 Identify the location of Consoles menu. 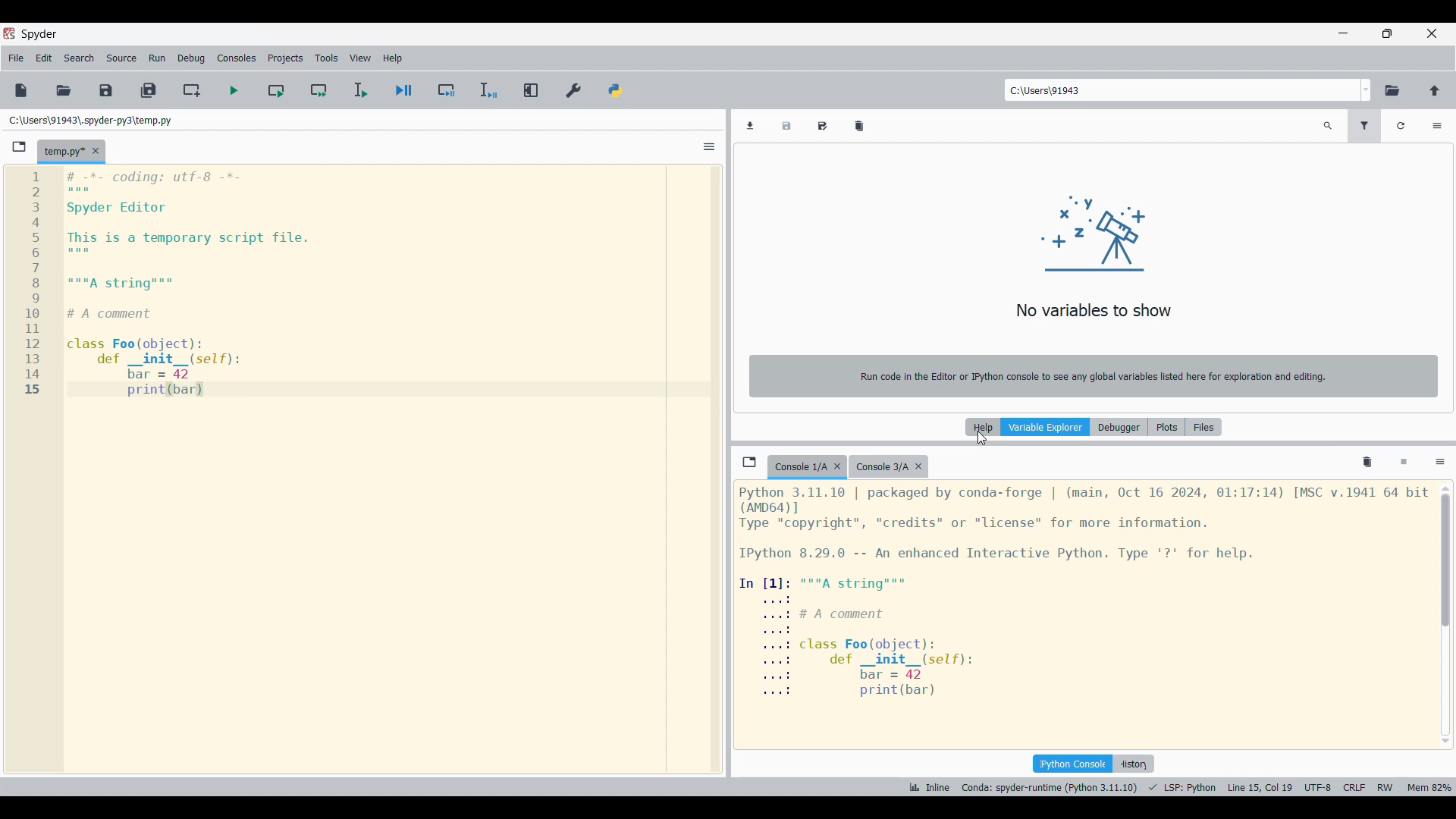
(237, 58).